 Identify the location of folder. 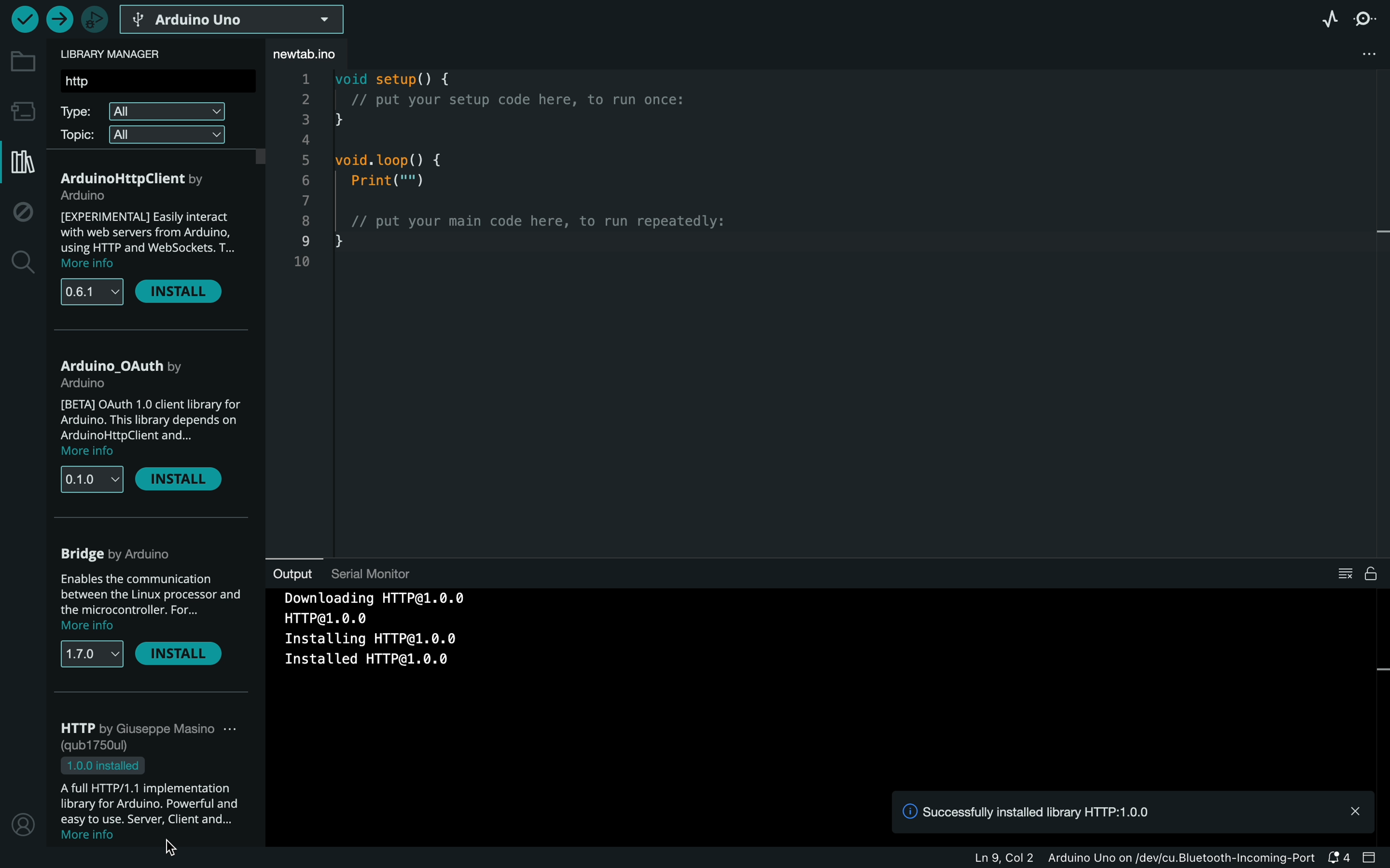
(21, 62).